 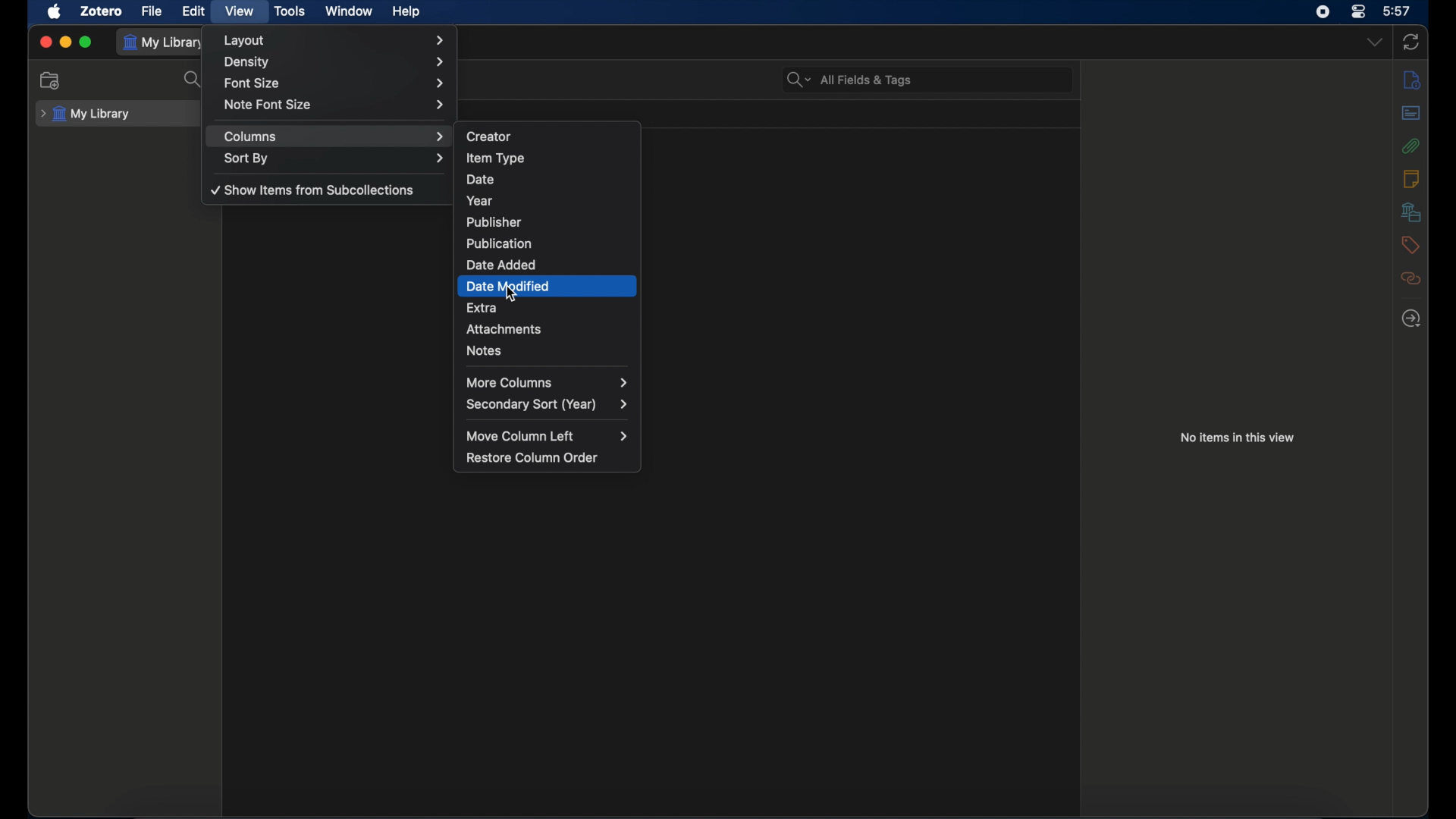 I want to click on date, so click(x=551, y=178).